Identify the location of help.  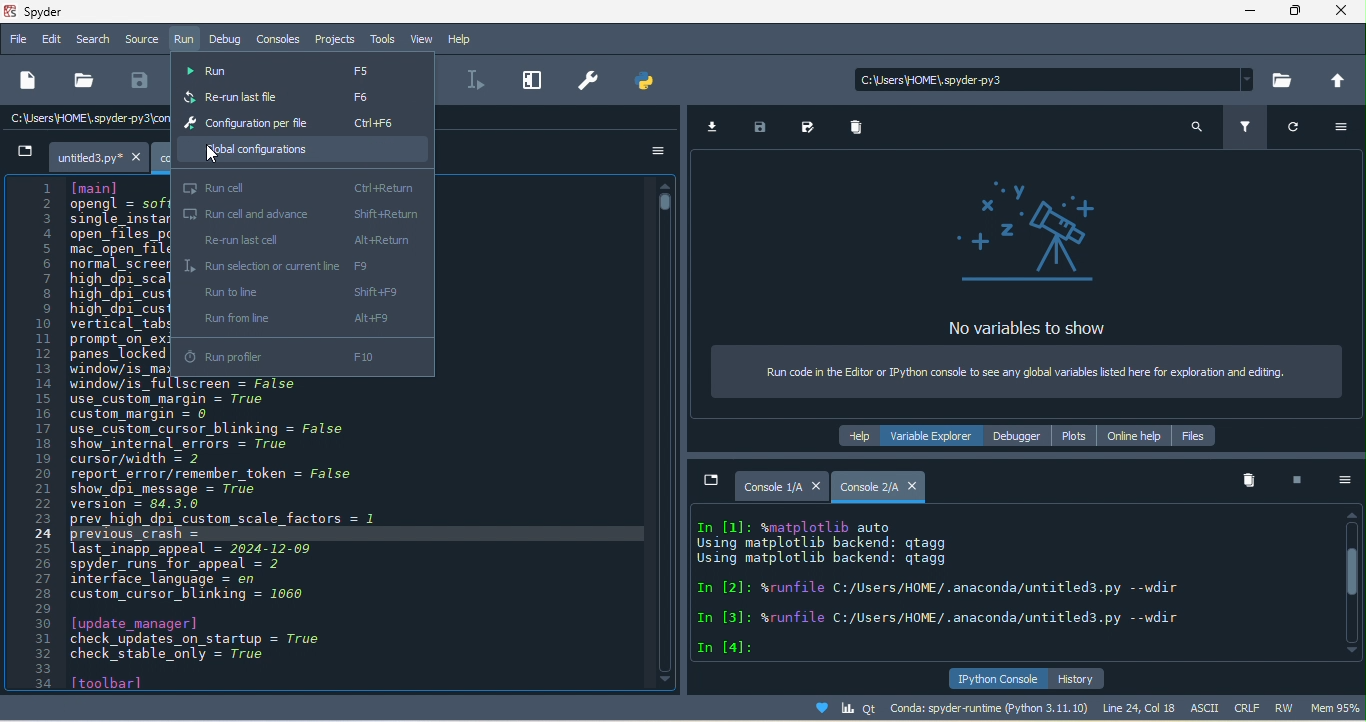
(860, 437).